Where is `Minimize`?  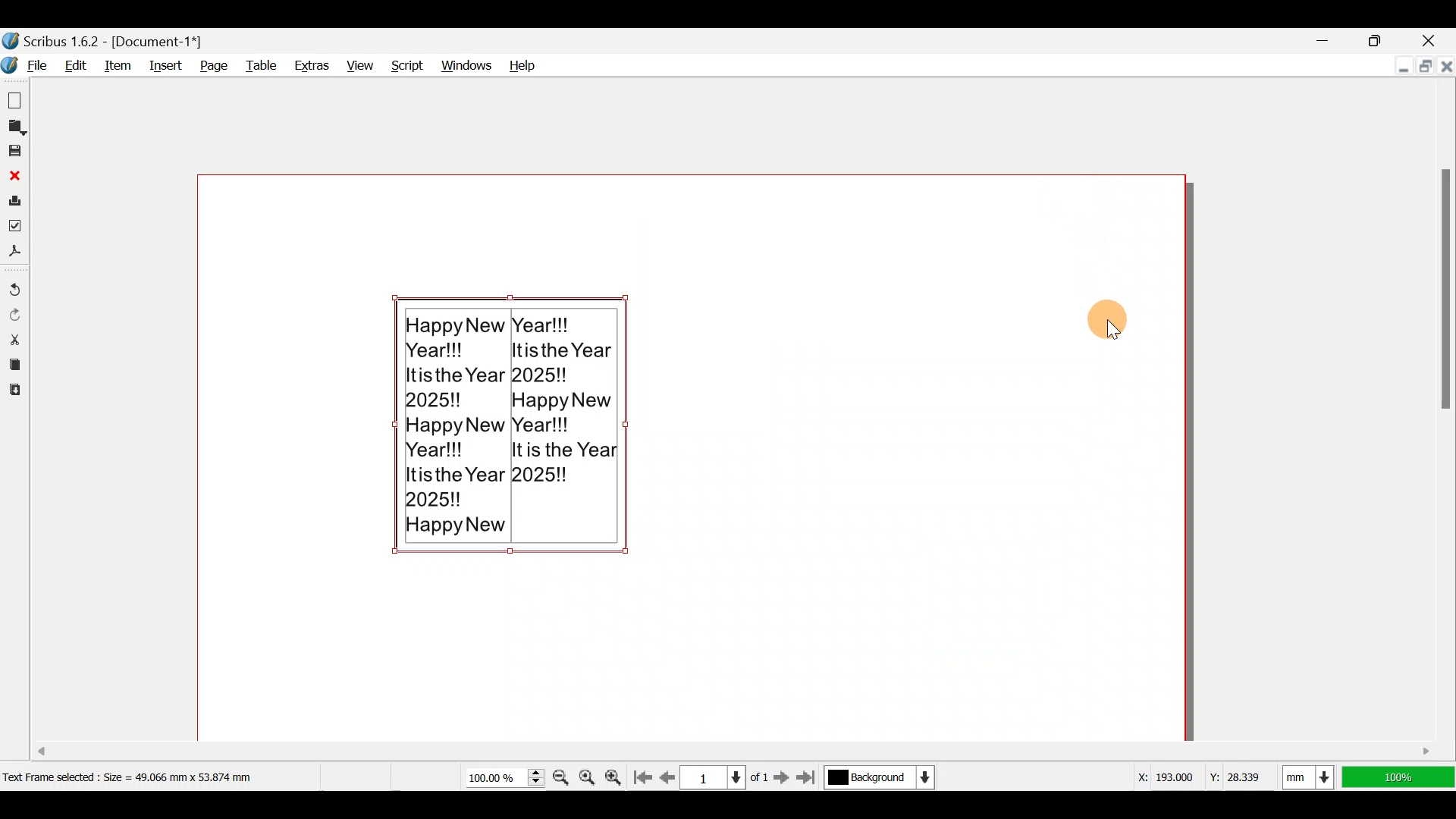 Minimize is located at coordinates (1391, 67).